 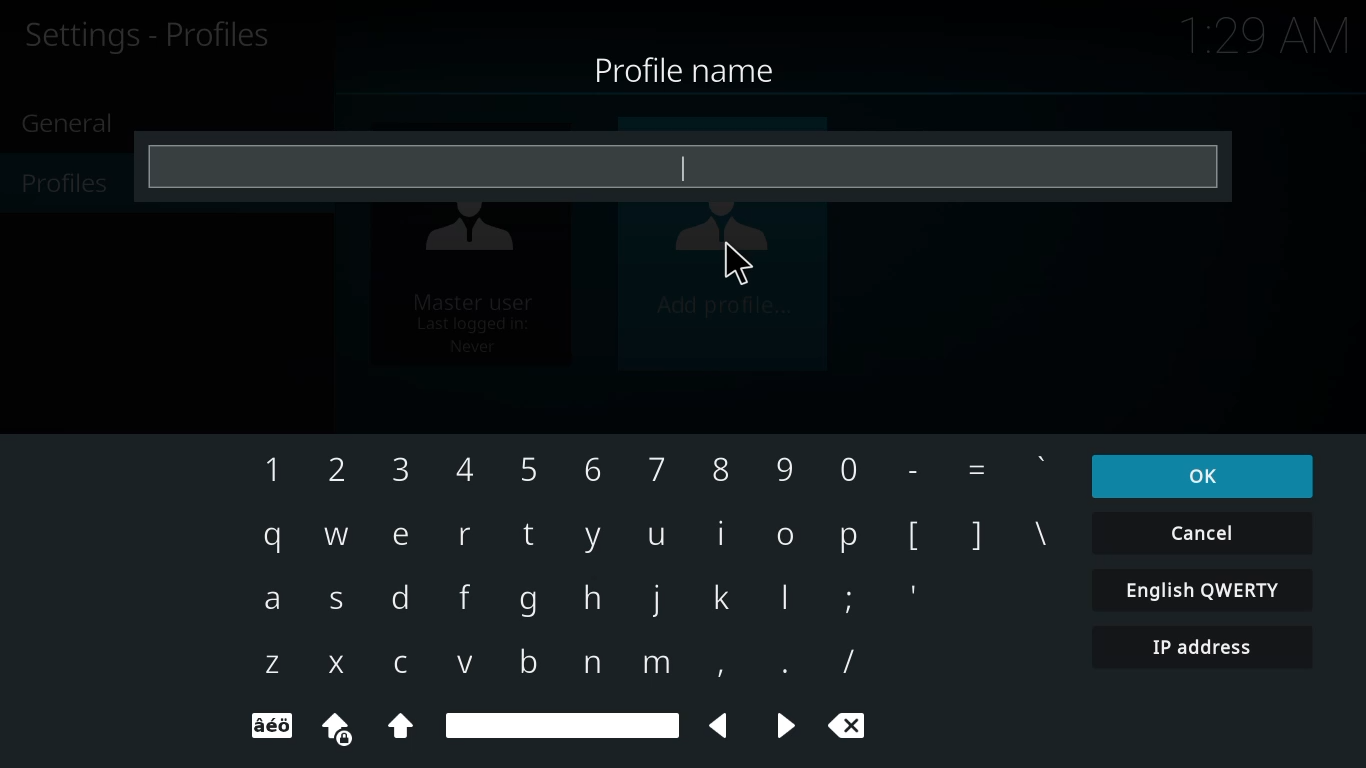 What do you see at coordinates (650, 662) in the screenshot?
I see `m` at bounding box center [650, 662].